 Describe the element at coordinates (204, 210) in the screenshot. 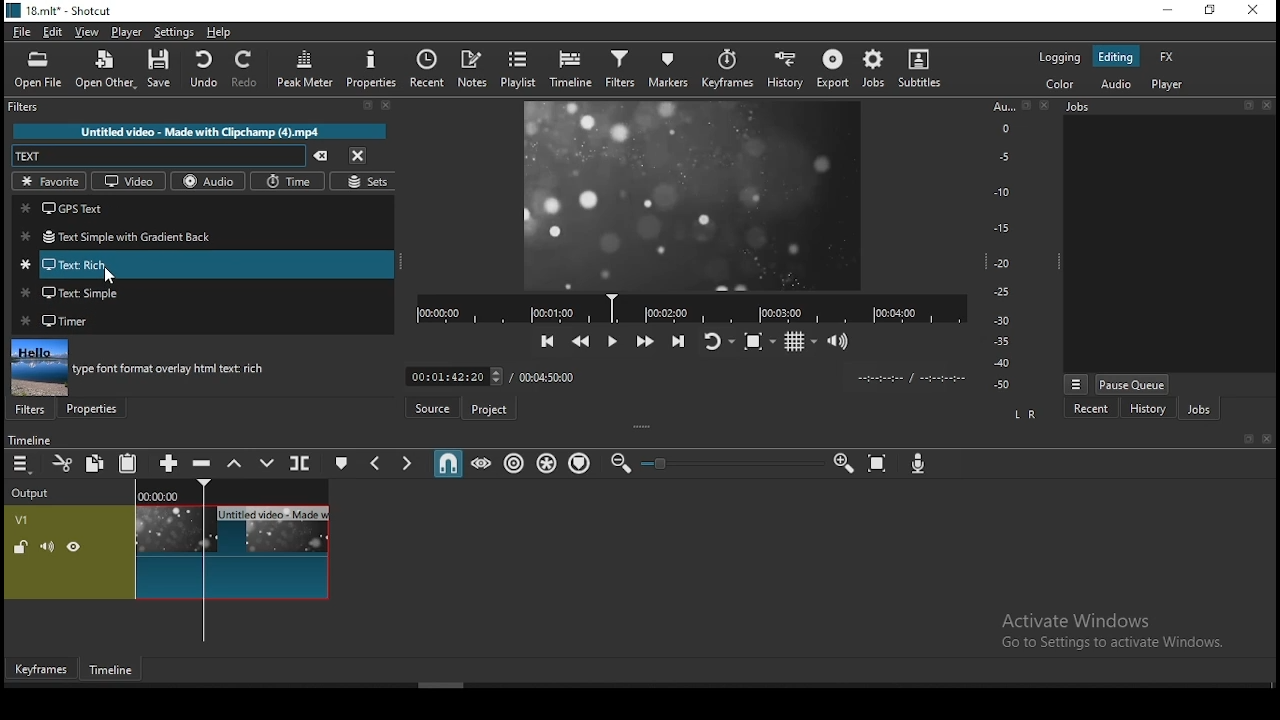

I see `gps text` at that location.